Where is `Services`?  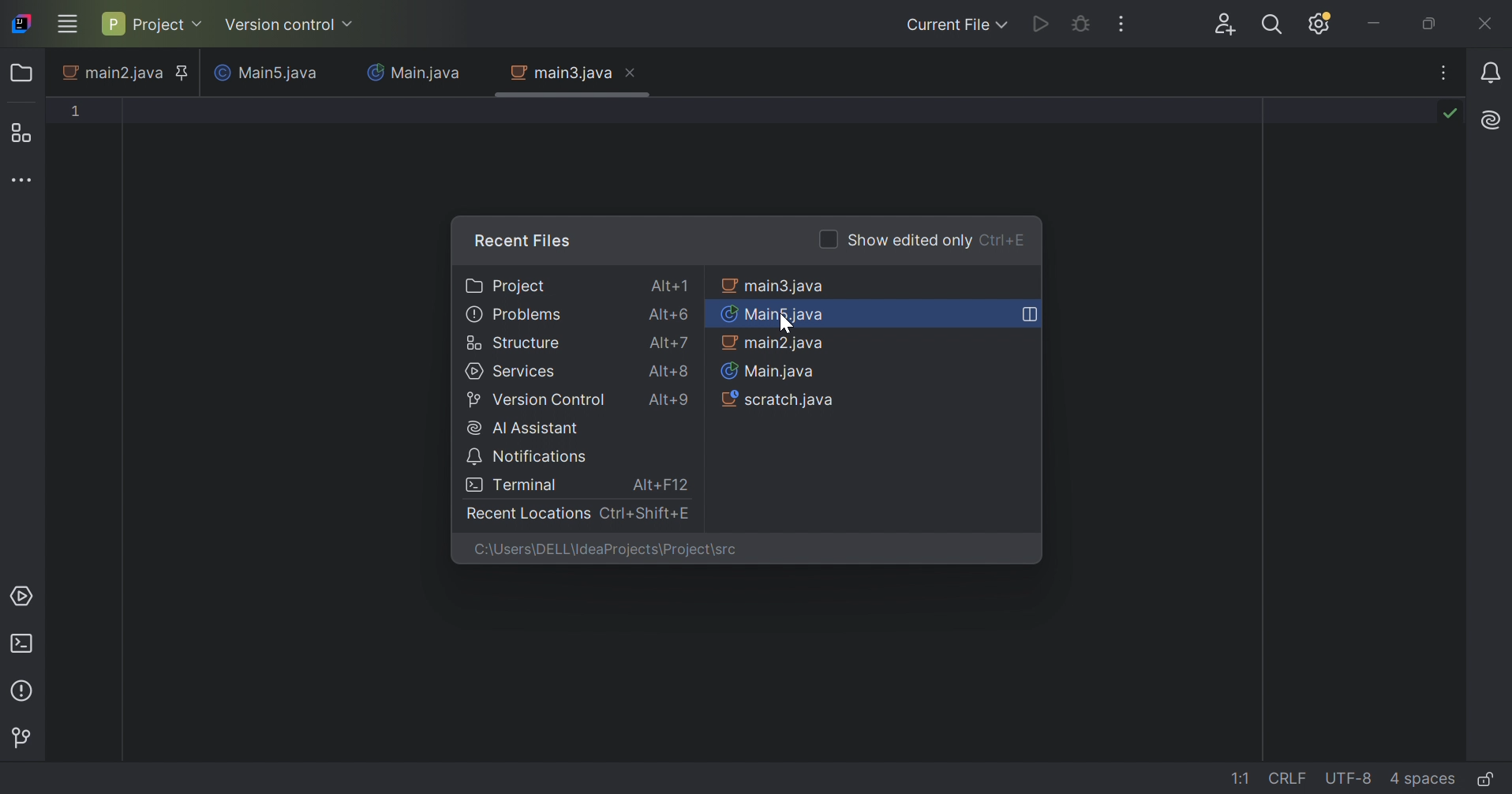
Services is located at coordinates (507, 370).